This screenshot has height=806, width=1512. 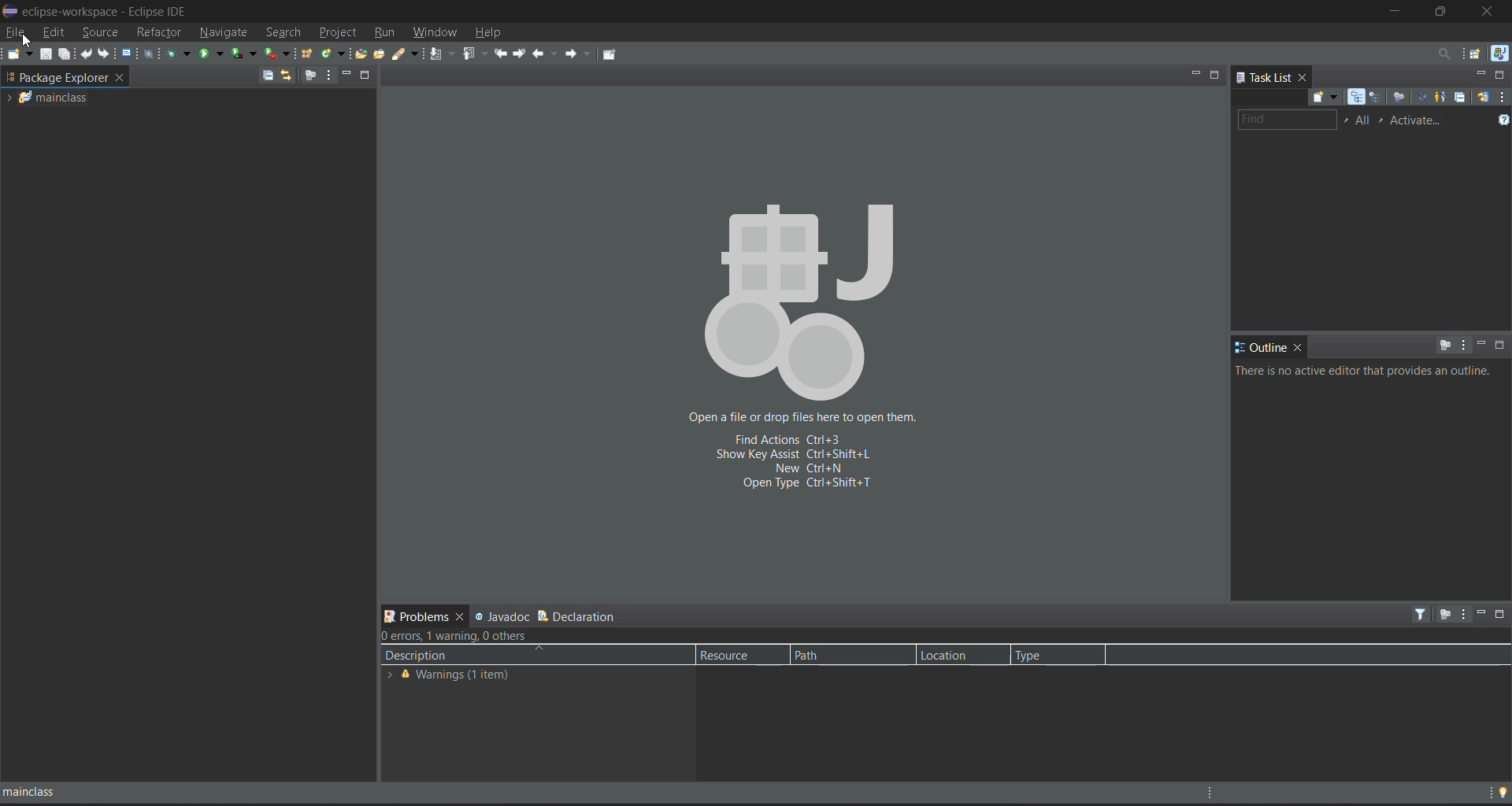 What do you see at coordinates (1445, 345) in the screenshot?
I see `focus on active task` at bounding box center [1445, 345].